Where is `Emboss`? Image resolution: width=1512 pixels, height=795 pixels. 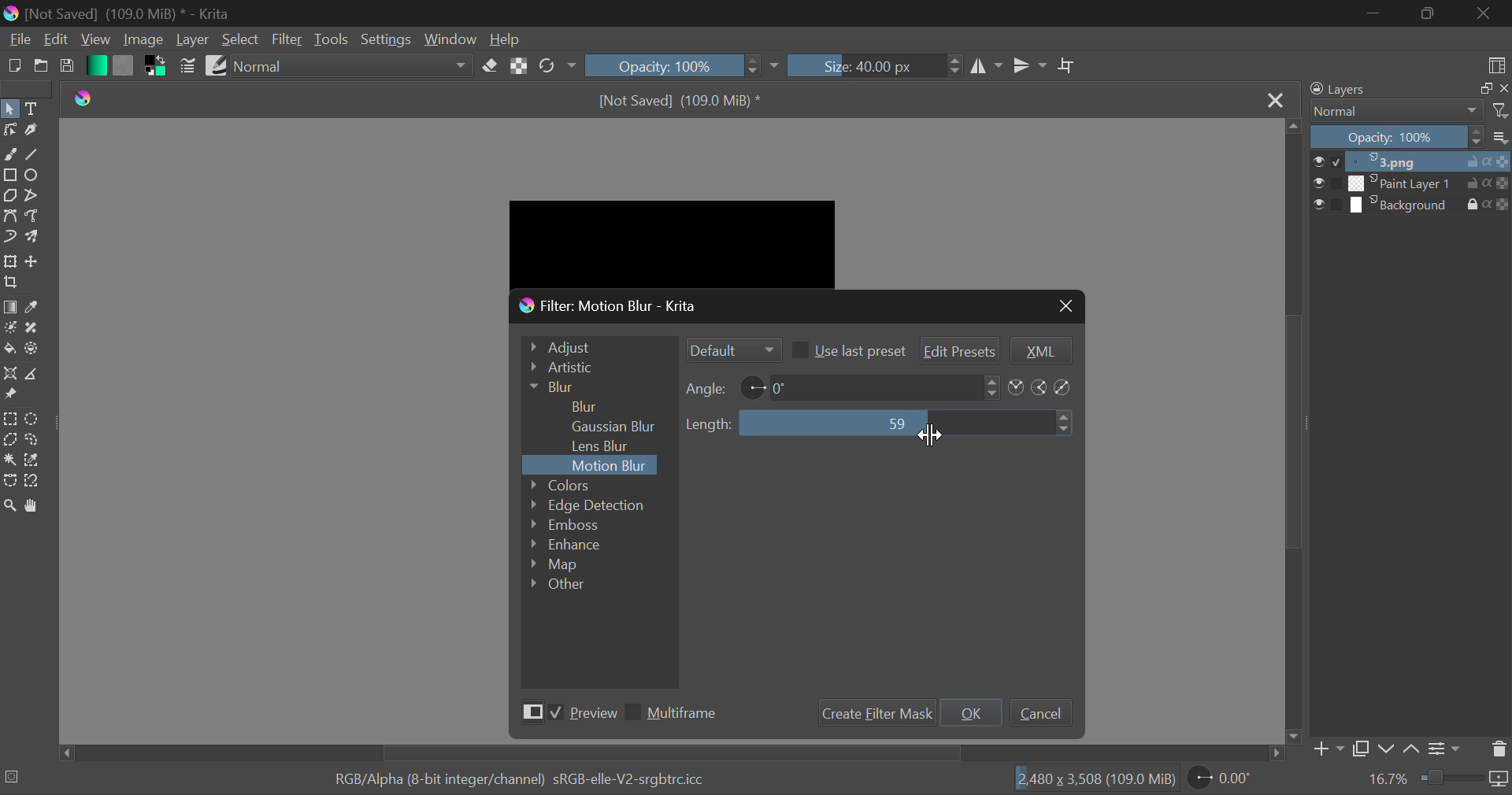 Emboss is located at coordinates (563, 524).